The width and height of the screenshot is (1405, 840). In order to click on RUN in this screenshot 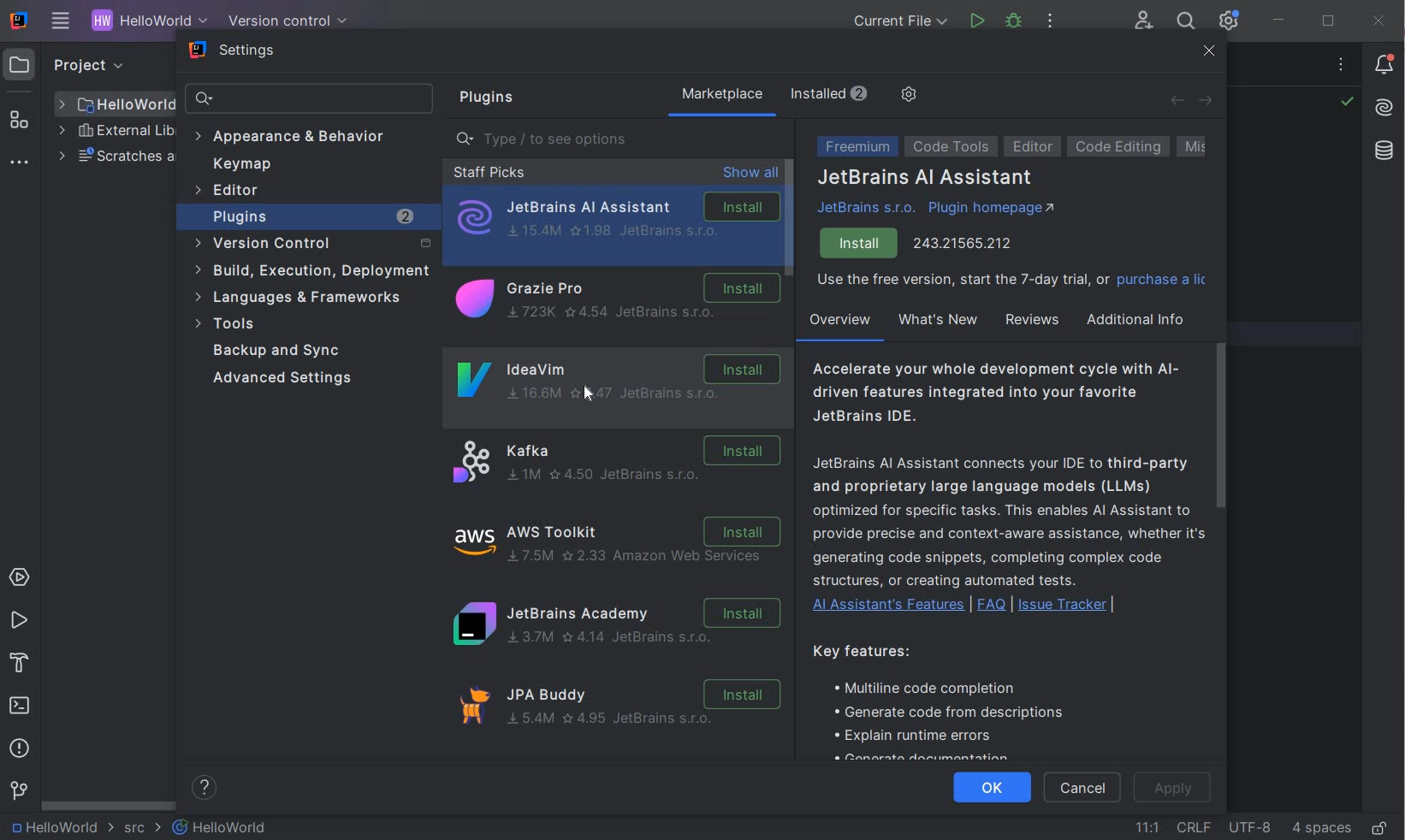, I will do `click(977, 21)`.